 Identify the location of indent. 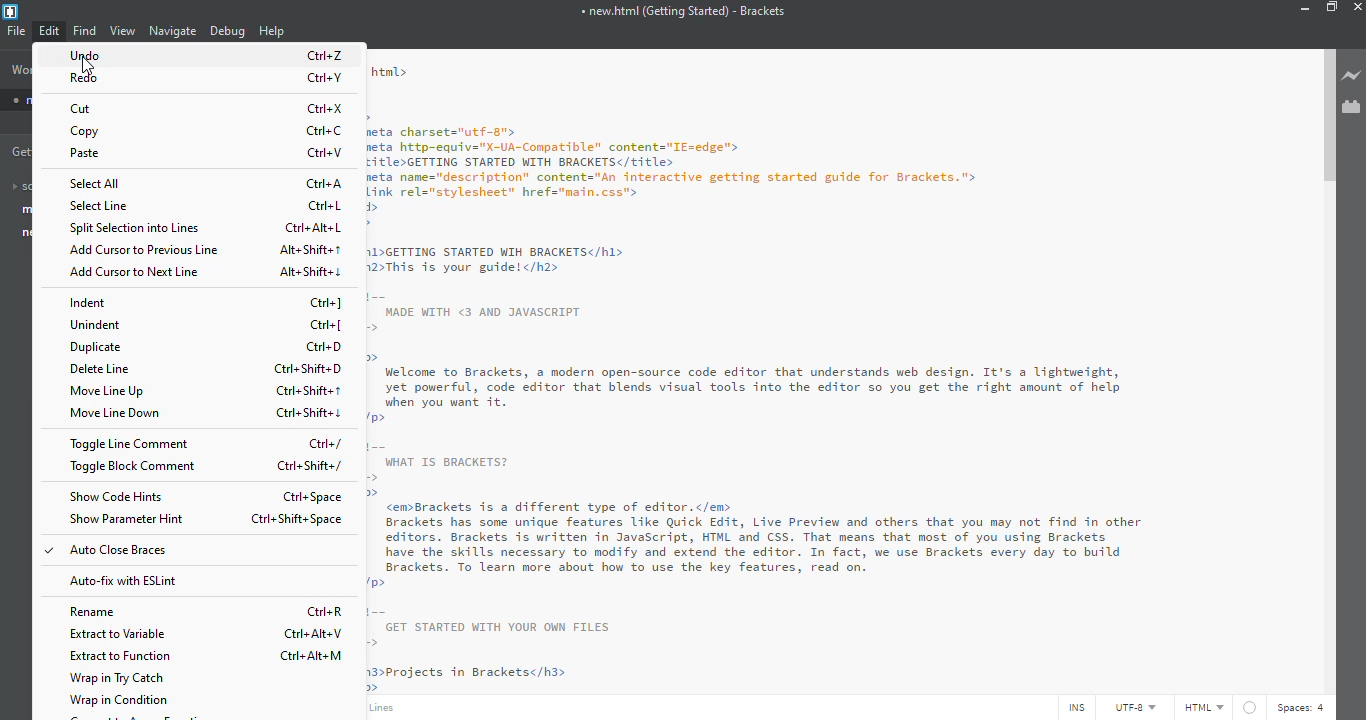
(90, 303).